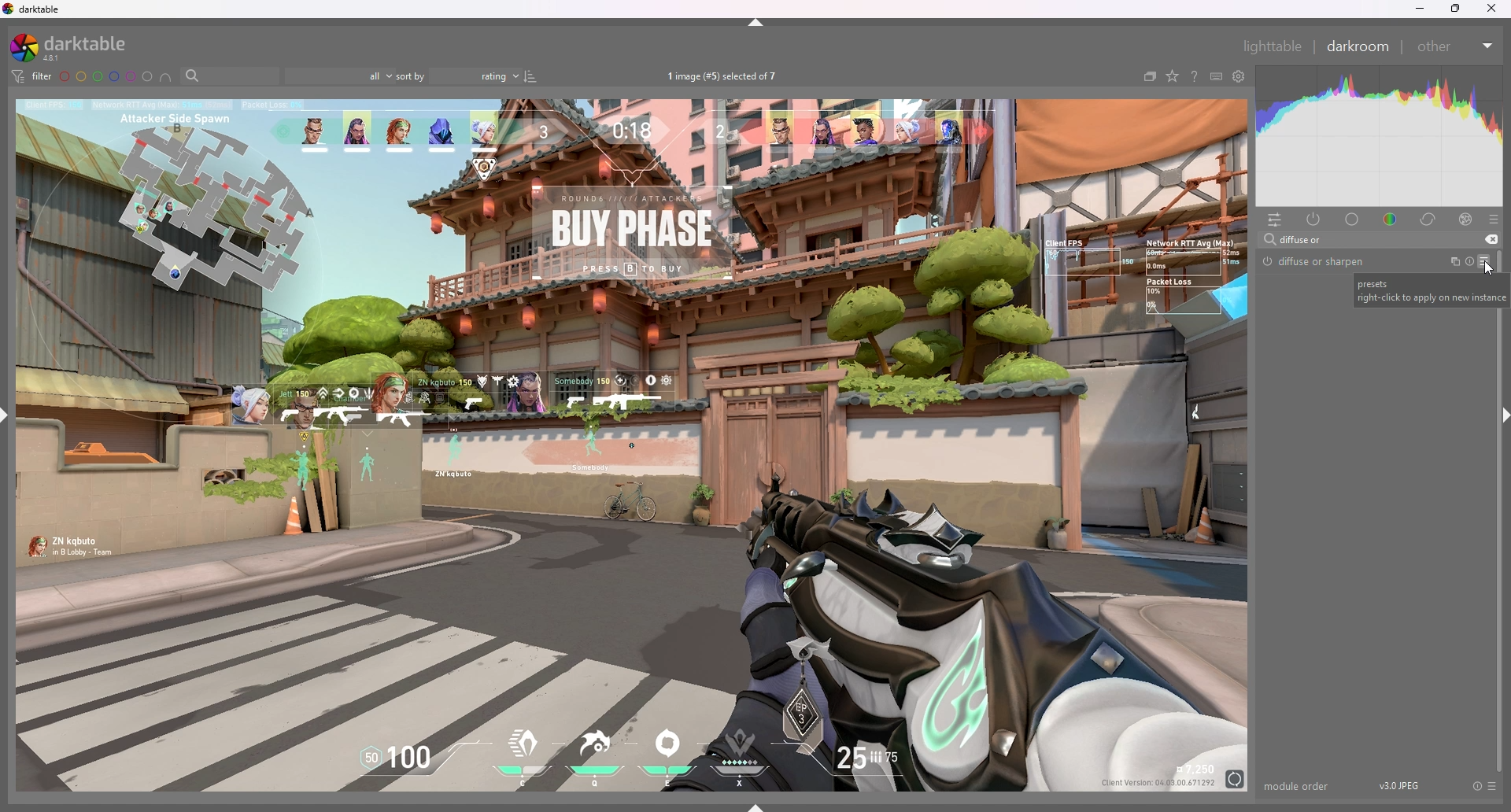 The width and height of the screenshot is (1511, 812). What do you see at coordinates (1392, 218) in the screenshot?
I see `color` at bounding box center [1392, 218].